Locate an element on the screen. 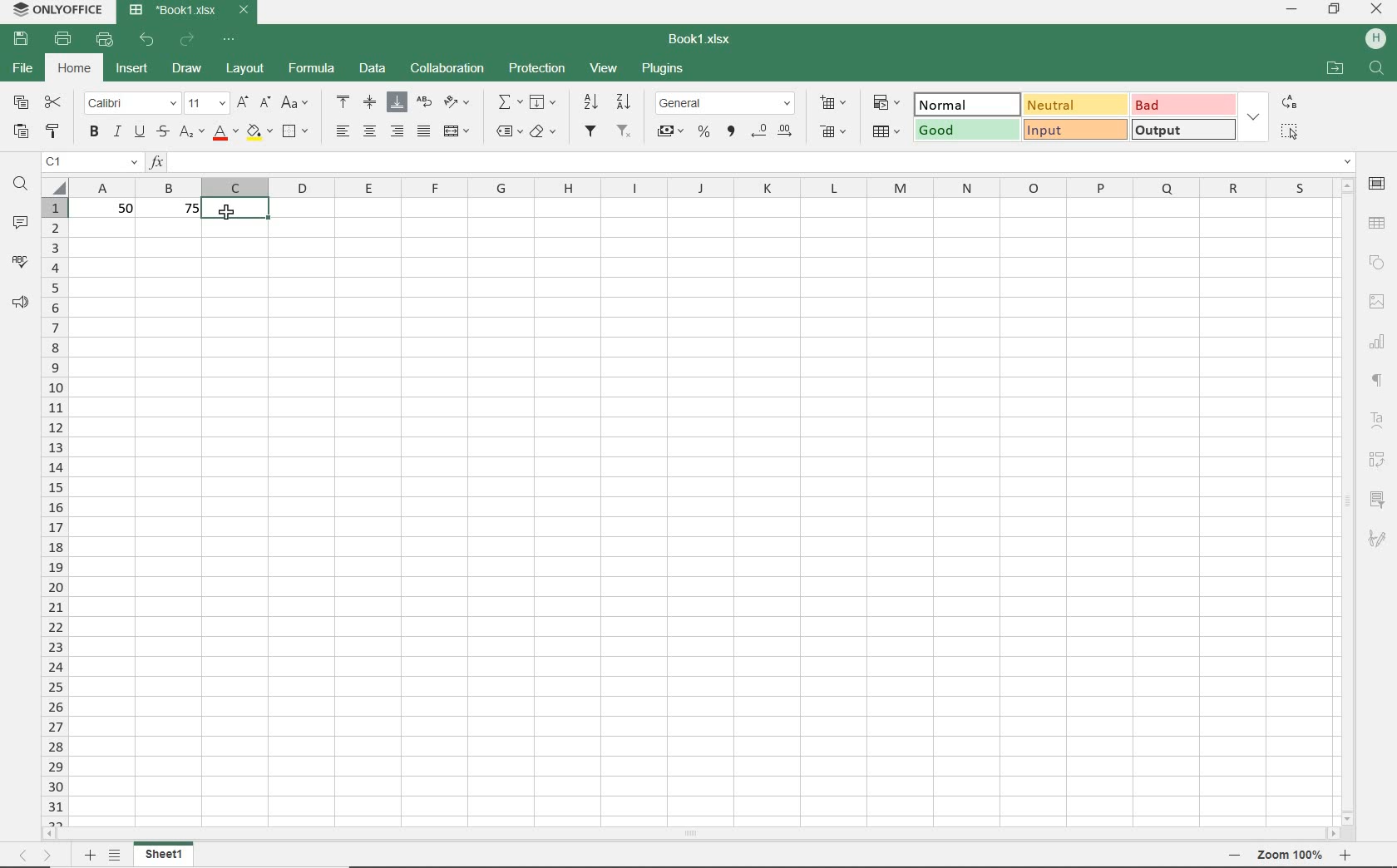  find is located at coordinates (20, 186).